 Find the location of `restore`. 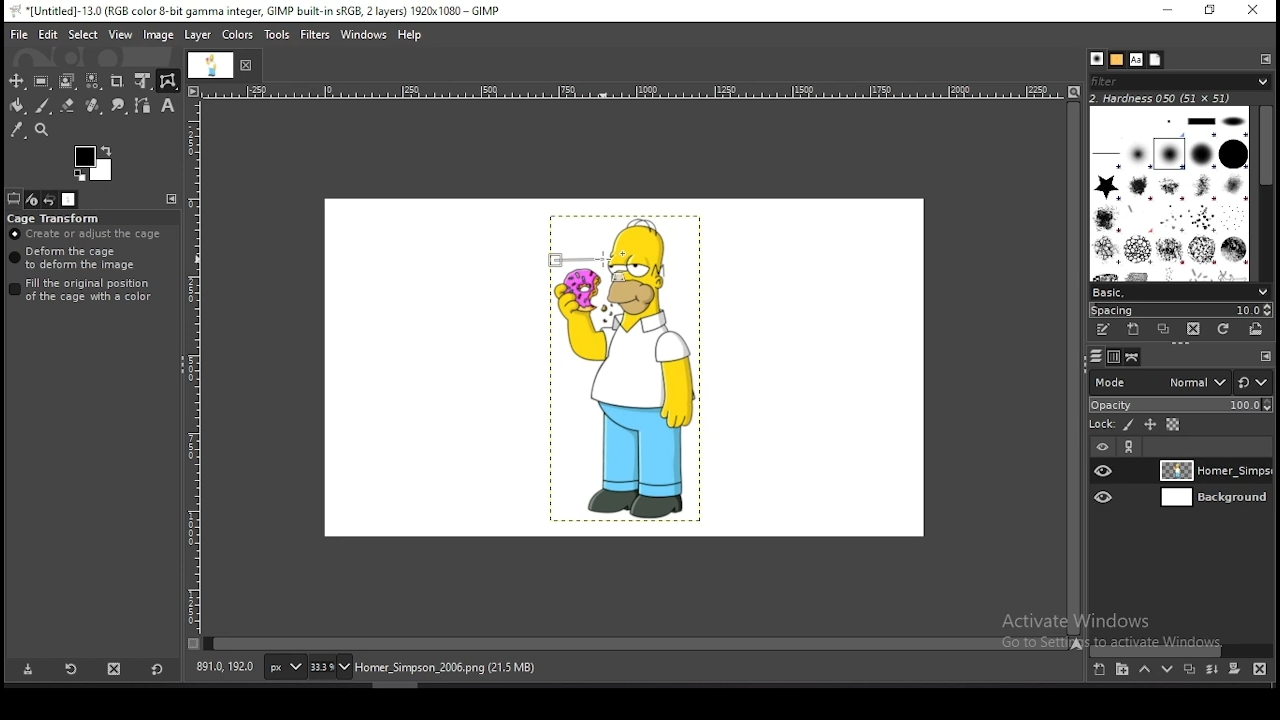

restore is located at coordinates (1207, 11).